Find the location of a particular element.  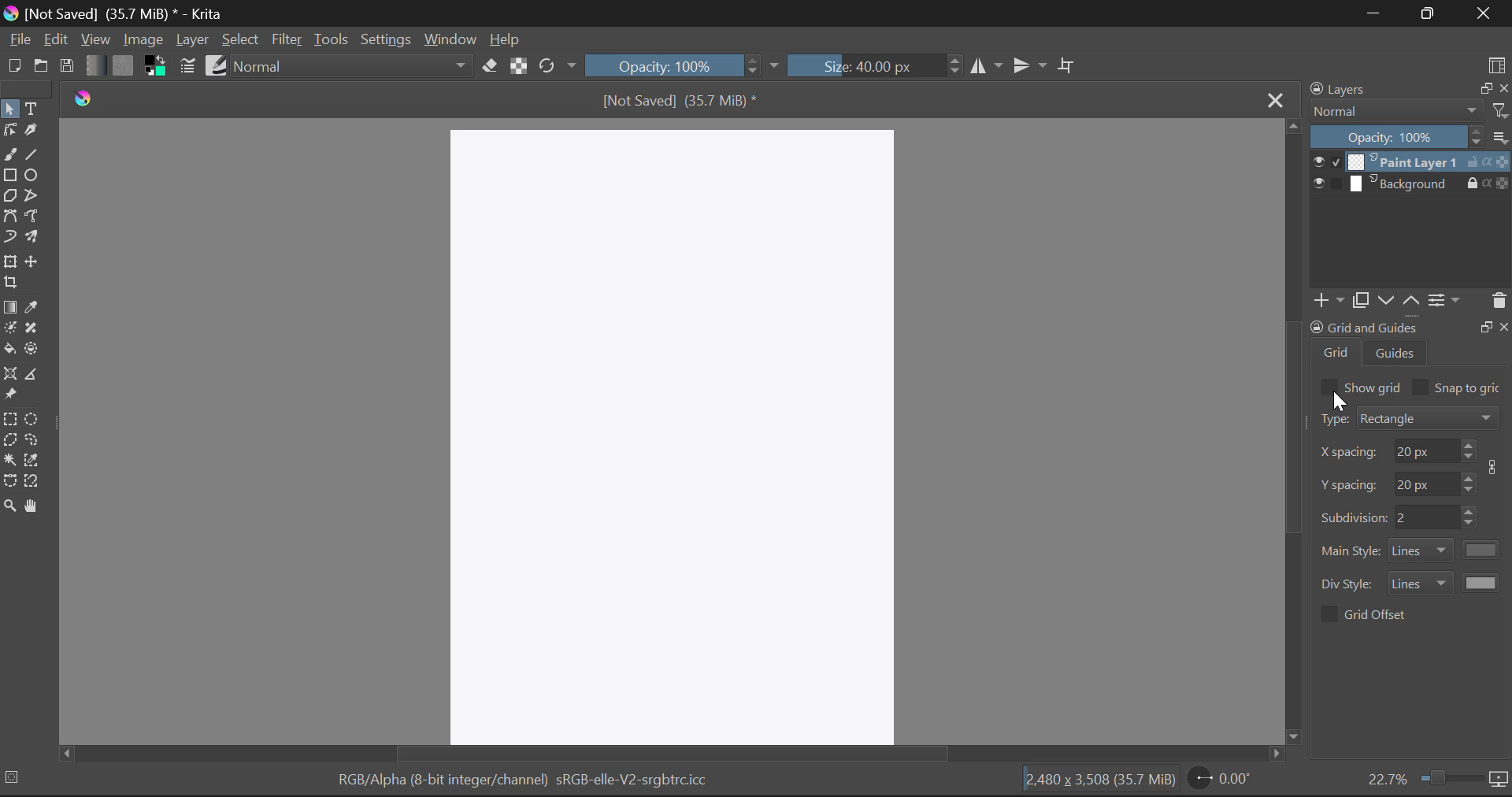

Eyedropper is located at coordinates (32, 309).